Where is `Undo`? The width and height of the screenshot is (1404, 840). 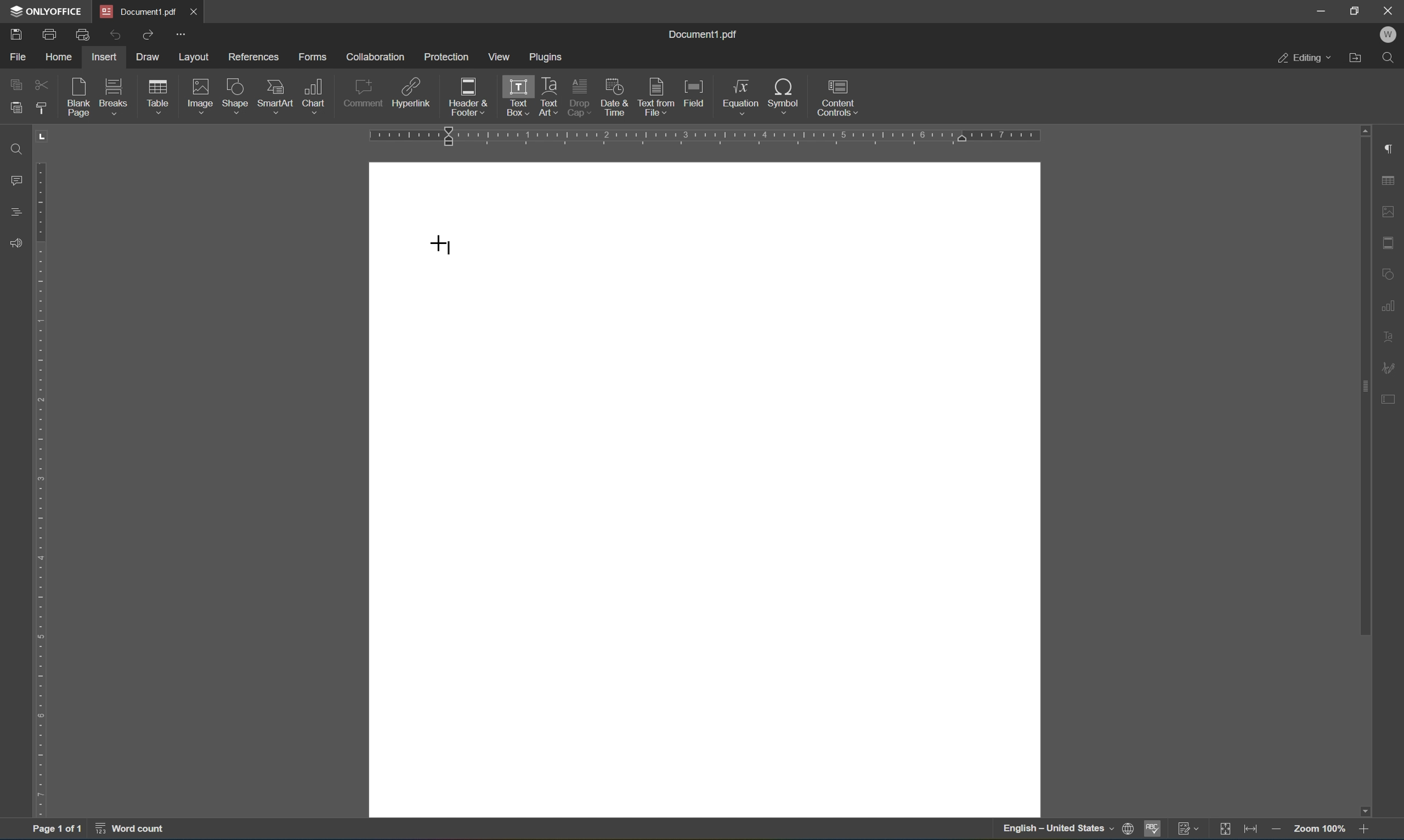
Undo is located at coordinates (114, 37).